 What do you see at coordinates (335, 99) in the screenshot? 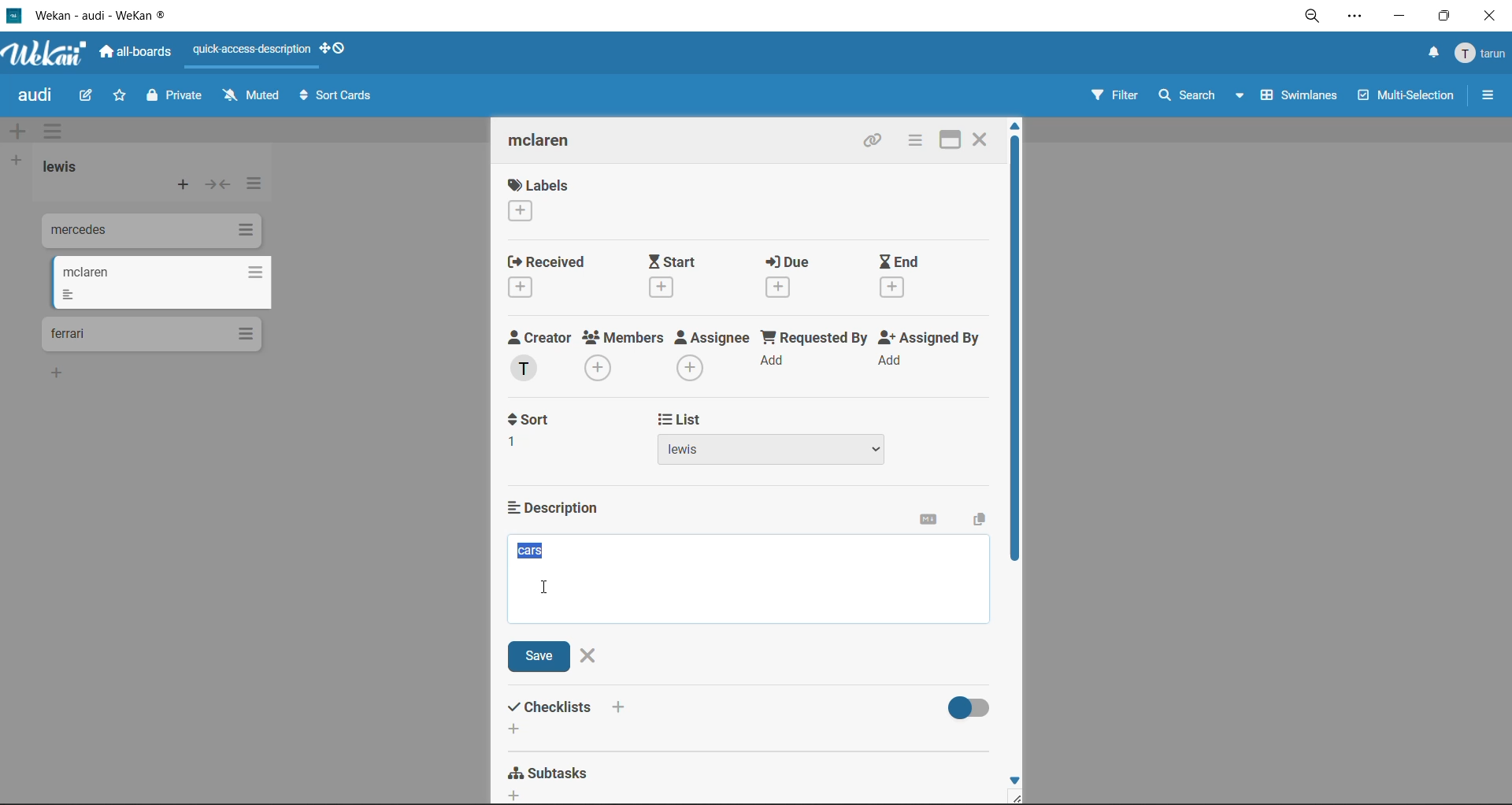
I see `sort cards` at bounding box center [335, 99].